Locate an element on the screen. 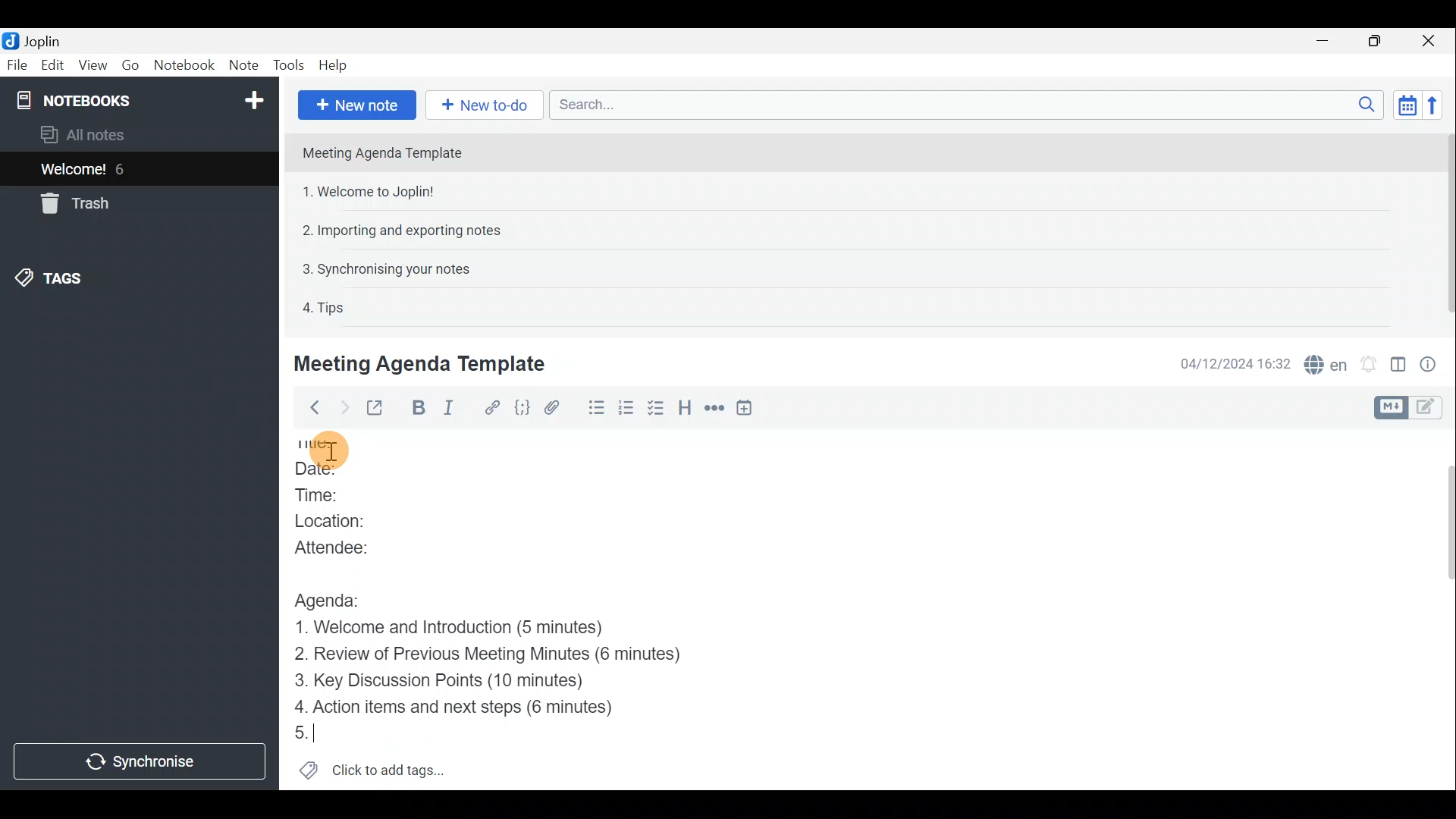 The width and height of the screenshot is (1456, 819). Code is located at coordinates (522, 409).